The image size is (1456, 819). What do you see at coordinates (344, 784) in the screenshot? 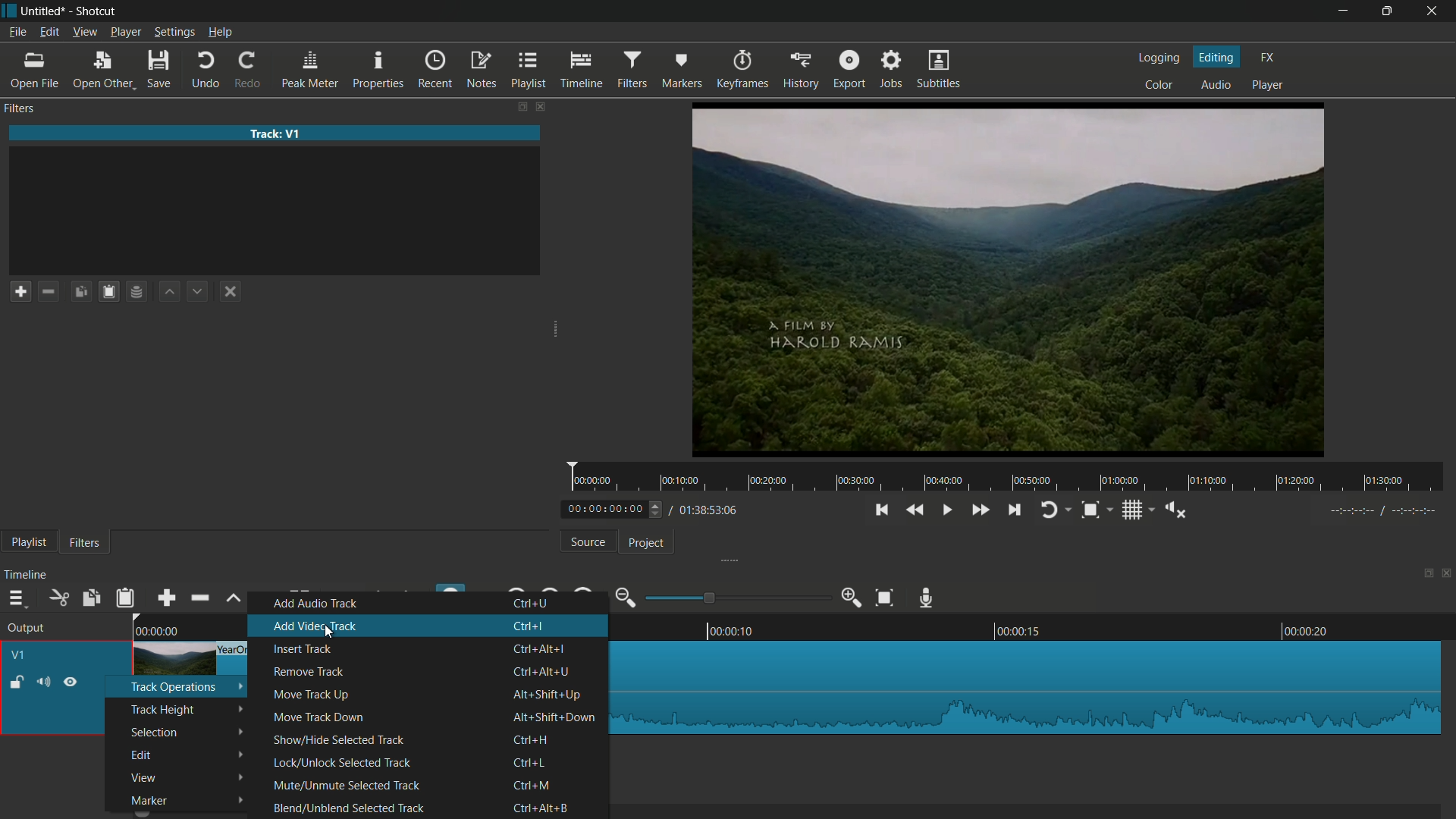
I see `mute/unmute selected track` at bounding box center [344, 784].